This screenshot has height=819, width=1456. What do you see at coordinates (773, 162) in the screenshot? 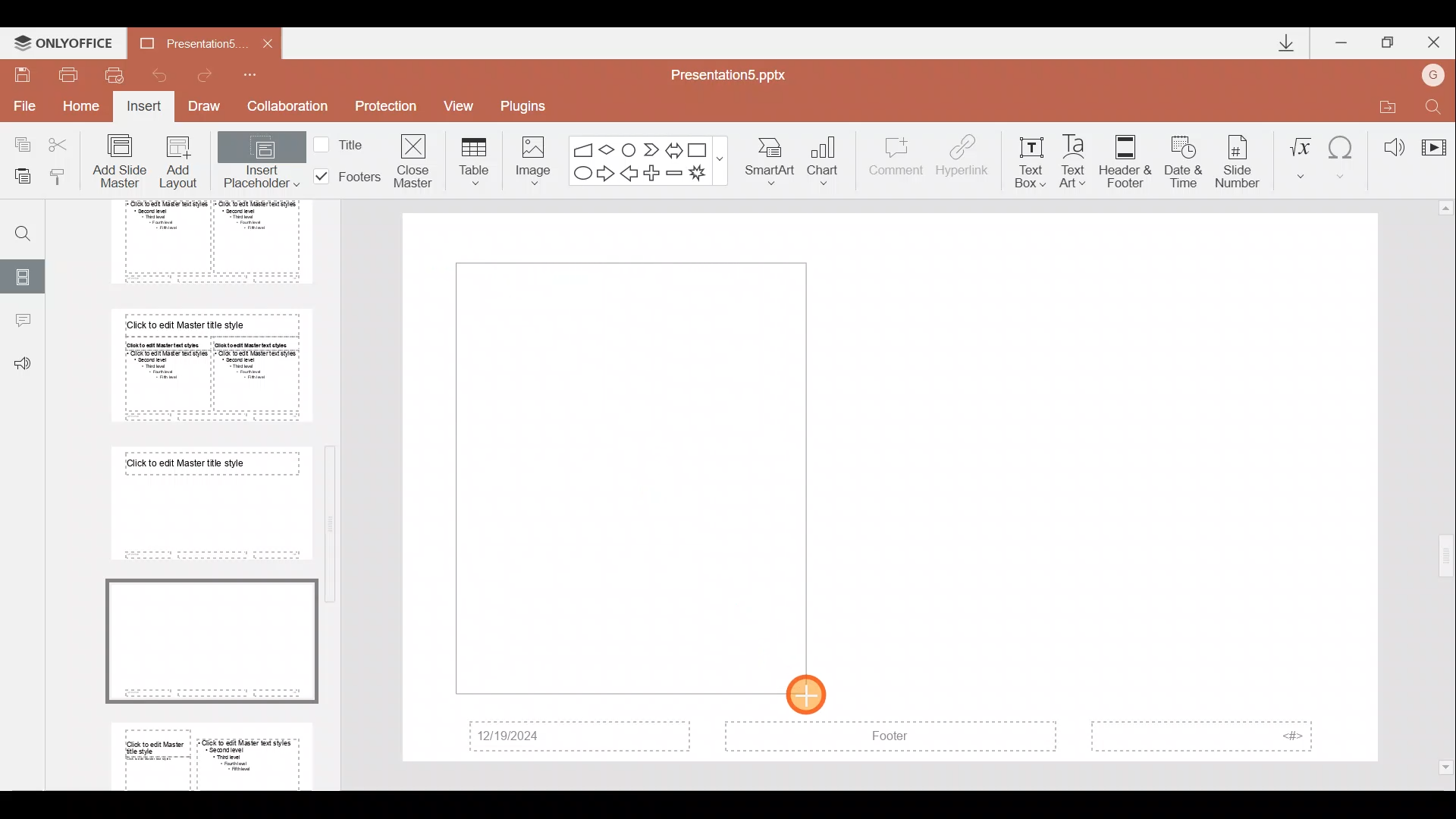
I see `SmartArt` at bounding box center [773, 162].